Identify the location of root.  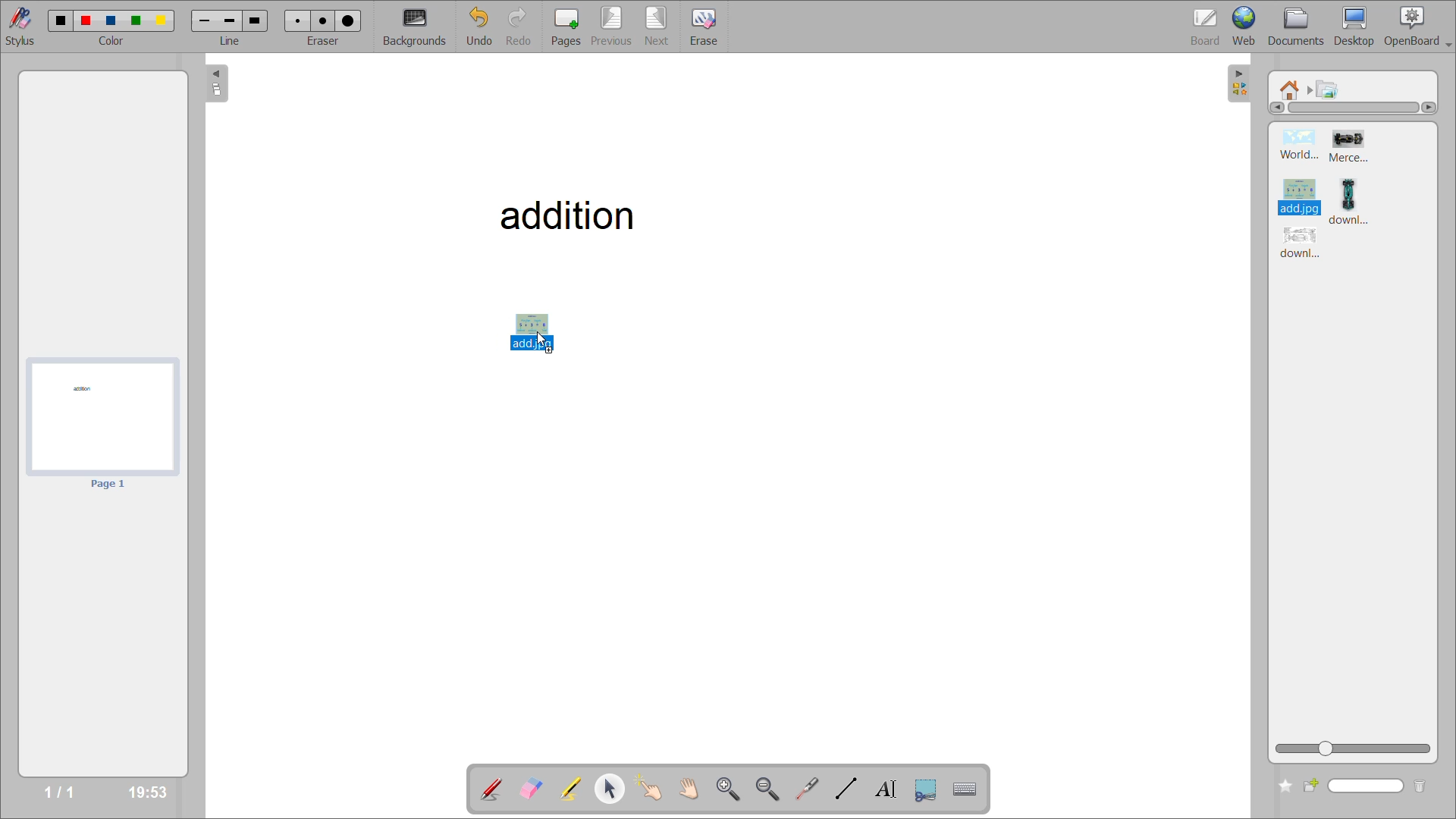
(1288, 89).